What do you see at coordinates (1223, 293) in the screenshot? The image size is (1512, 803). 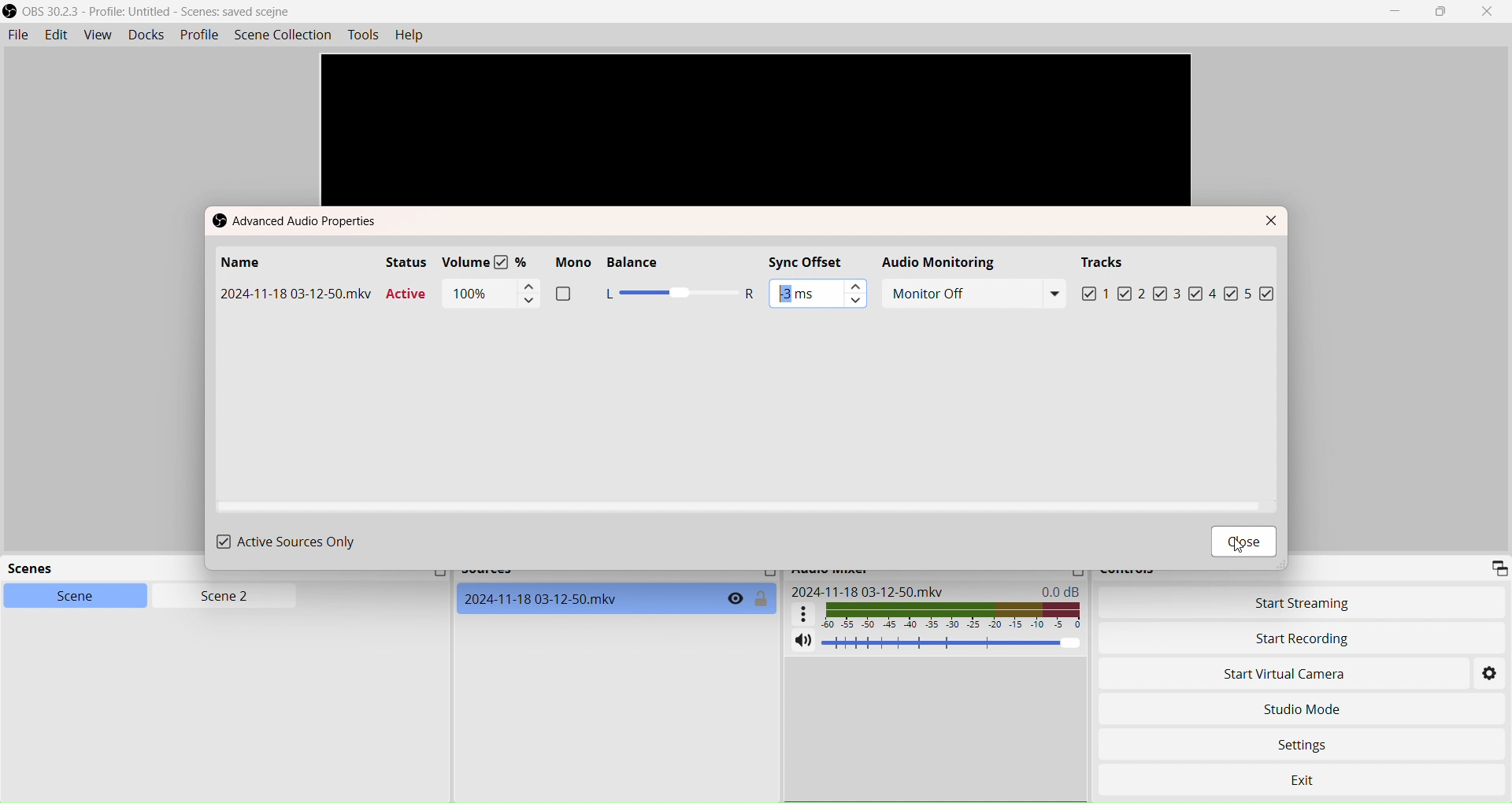 I see `4` at bounding box center [1223, 293].